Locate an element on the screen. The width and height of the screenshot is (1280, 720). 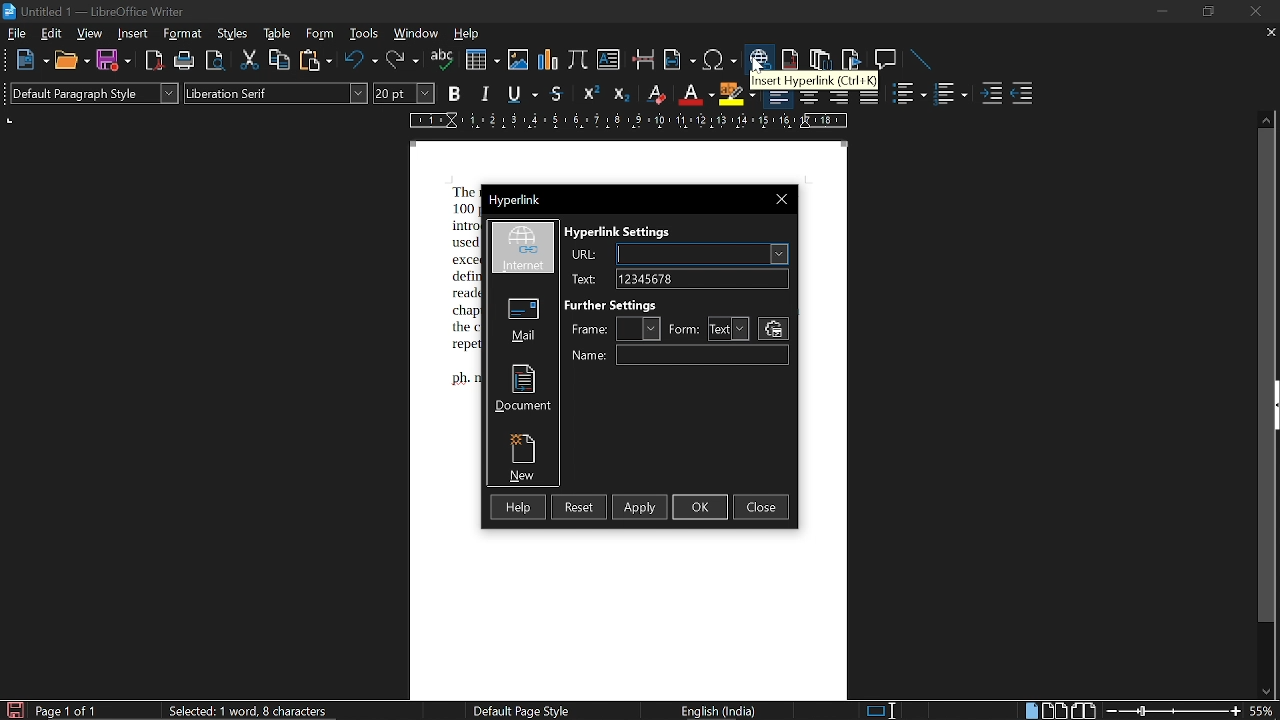
reset is located at coordinates (578, 507).